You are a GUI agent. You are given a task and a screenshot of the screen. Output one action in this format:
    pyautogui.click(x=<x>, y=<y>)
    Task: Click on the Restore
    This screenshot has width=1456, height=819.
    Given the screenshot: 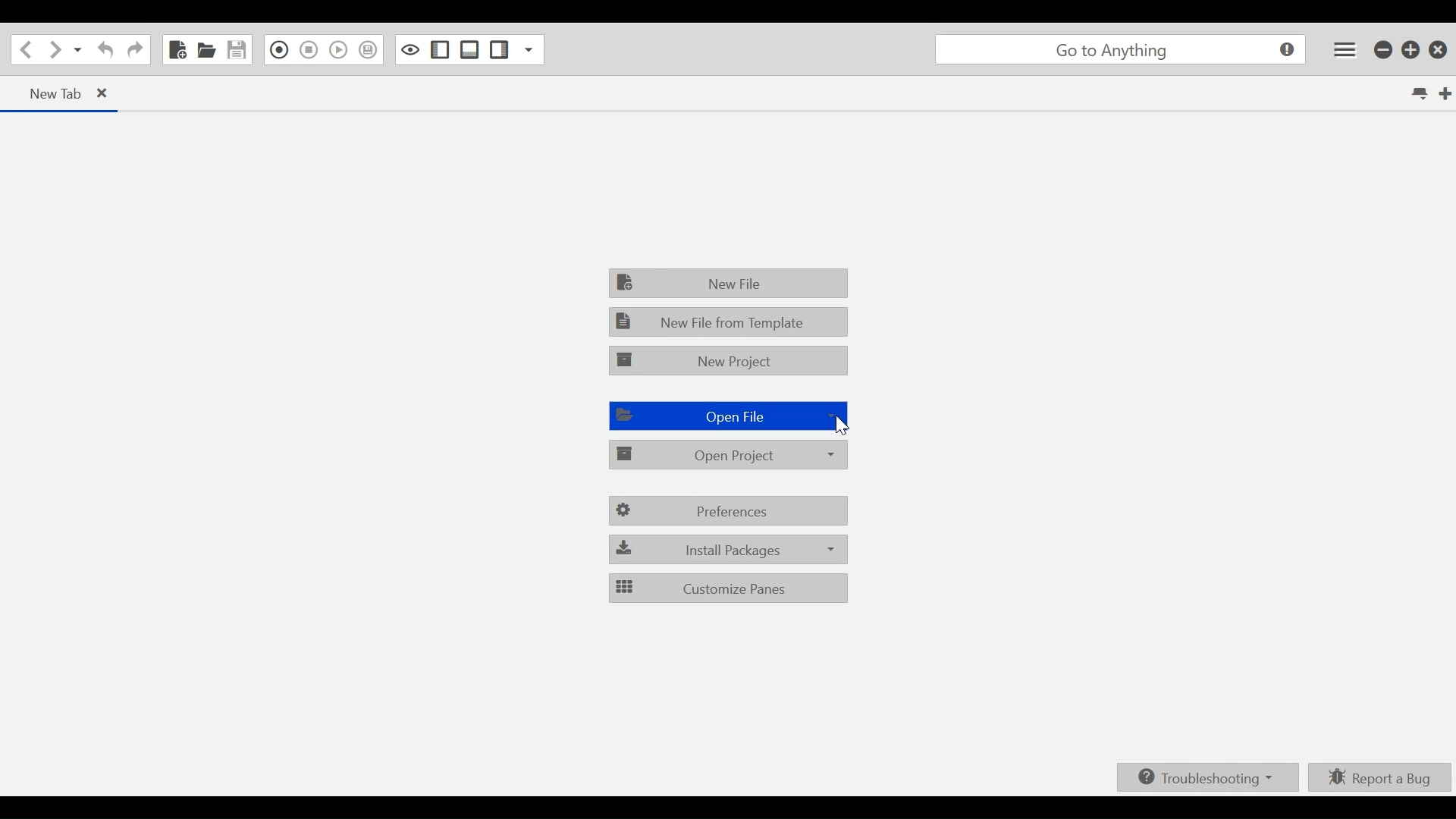 What is the action you would take?
    pyautogui.click(x=1409, y=50)
    